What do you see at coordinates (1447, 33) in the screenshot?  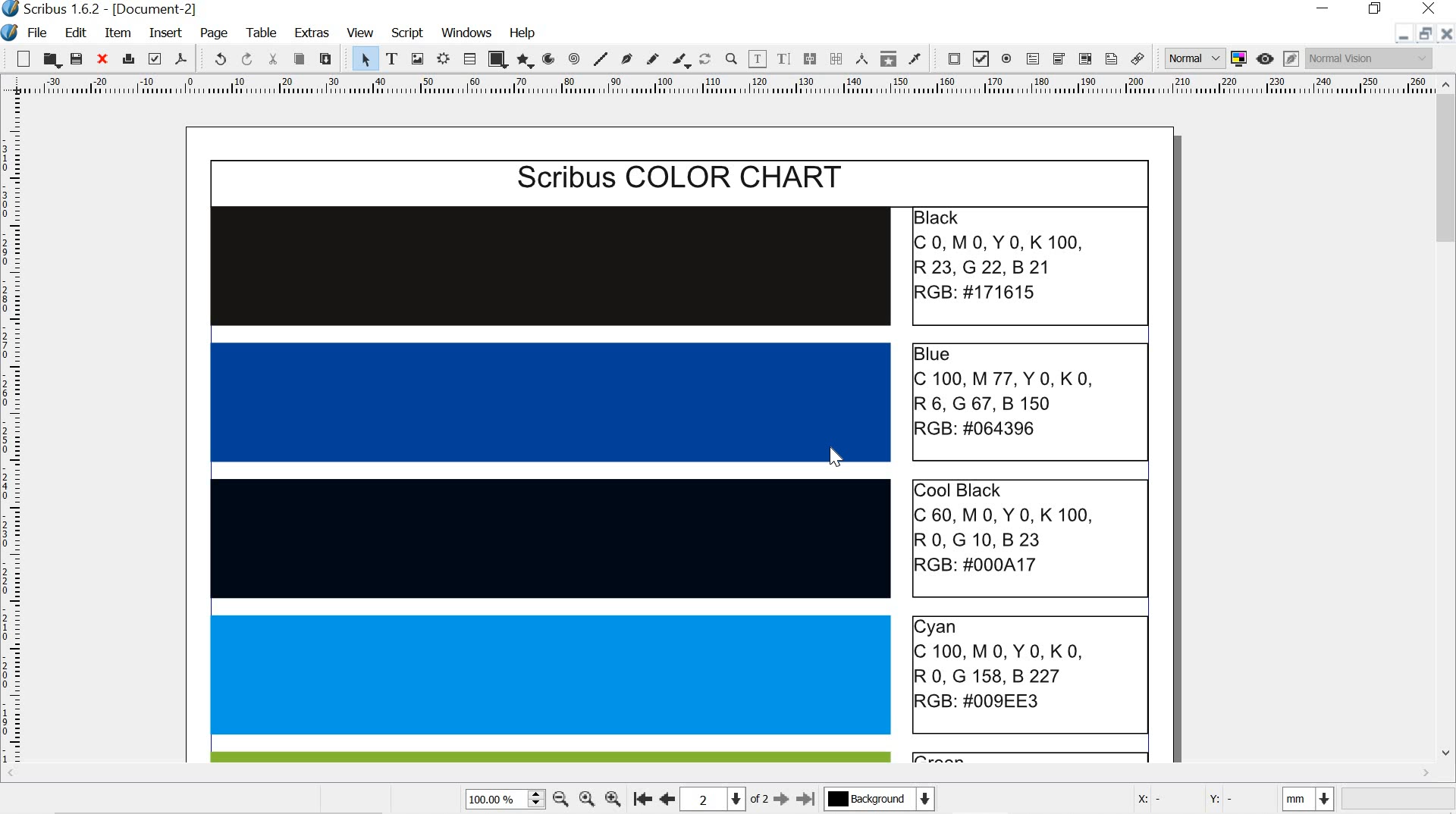 I see `close document` at bounding box center [1447, 33].